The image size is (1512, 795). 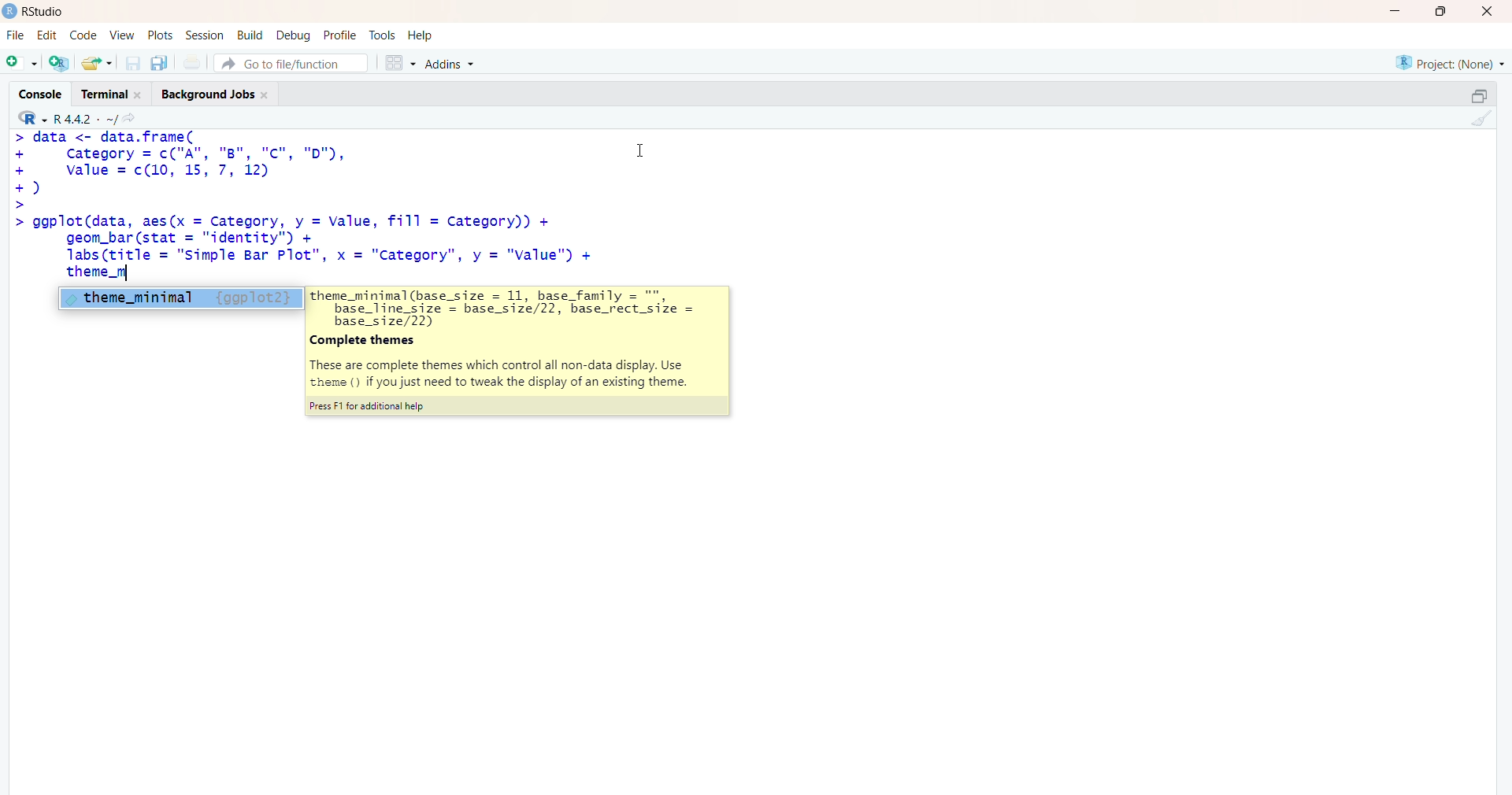 I want to click on Cursor, so click(x=641, y=148).